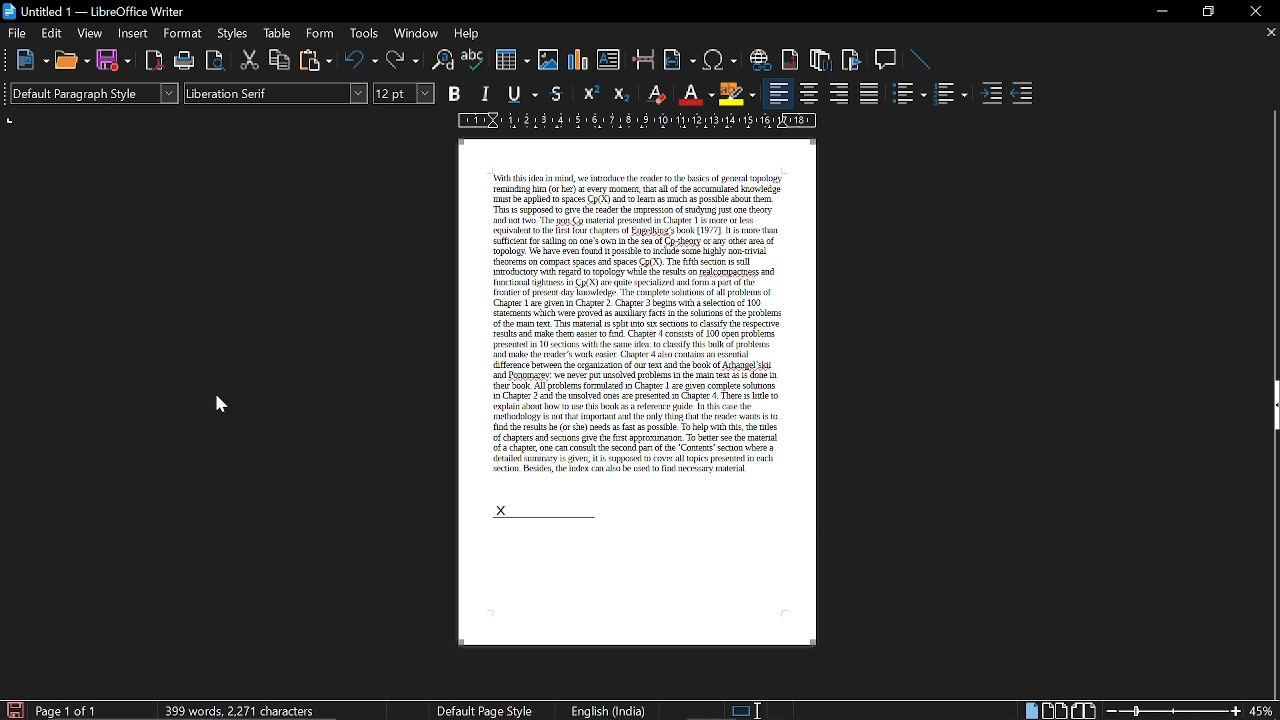  Describe the element at coordinates (1264, 709) in the screenshot. I see `current zoom` at that location.